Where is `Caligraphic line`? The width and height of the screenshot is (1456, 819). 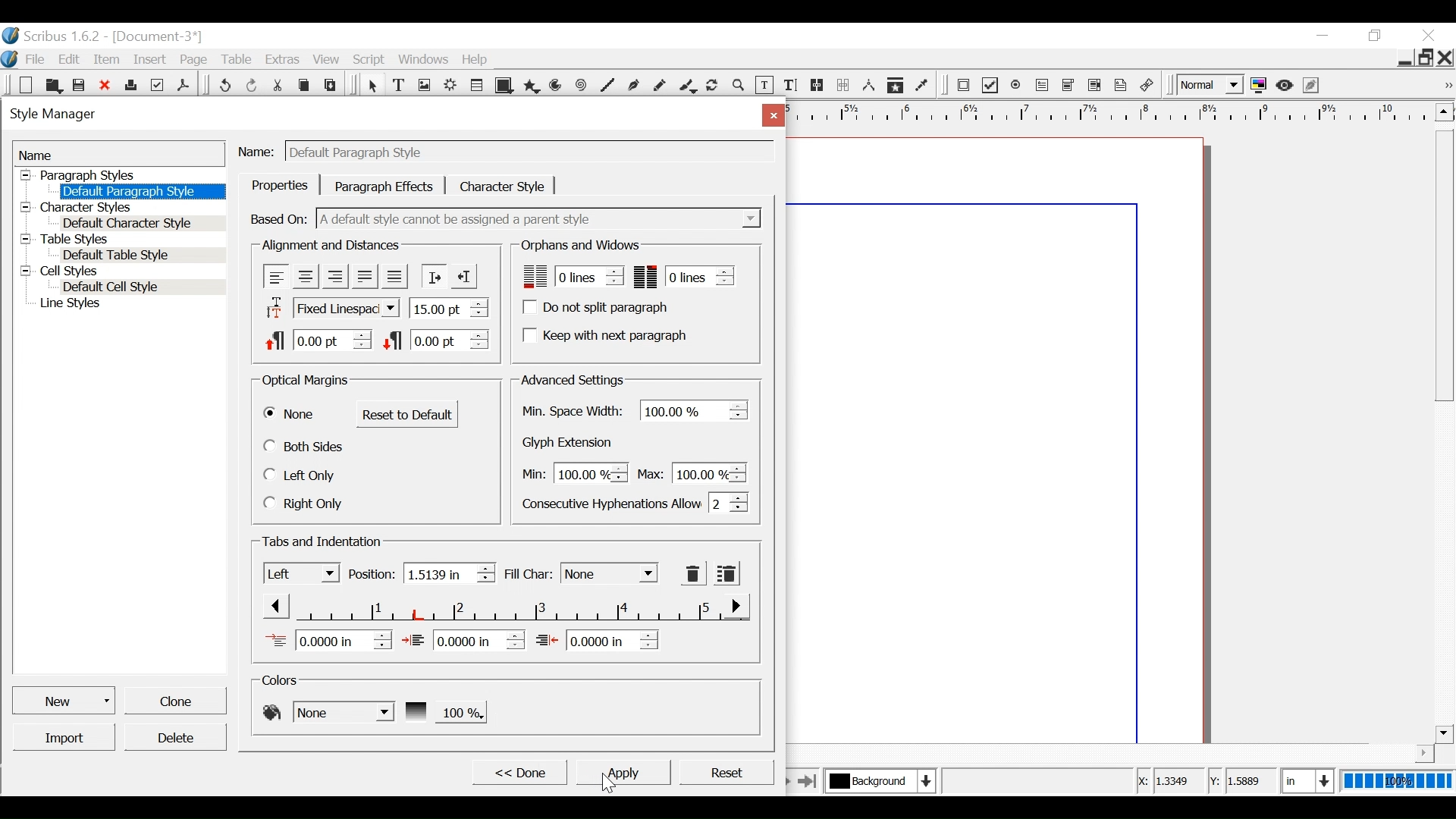
Caligraphic line is located at coordinates (689, 87).